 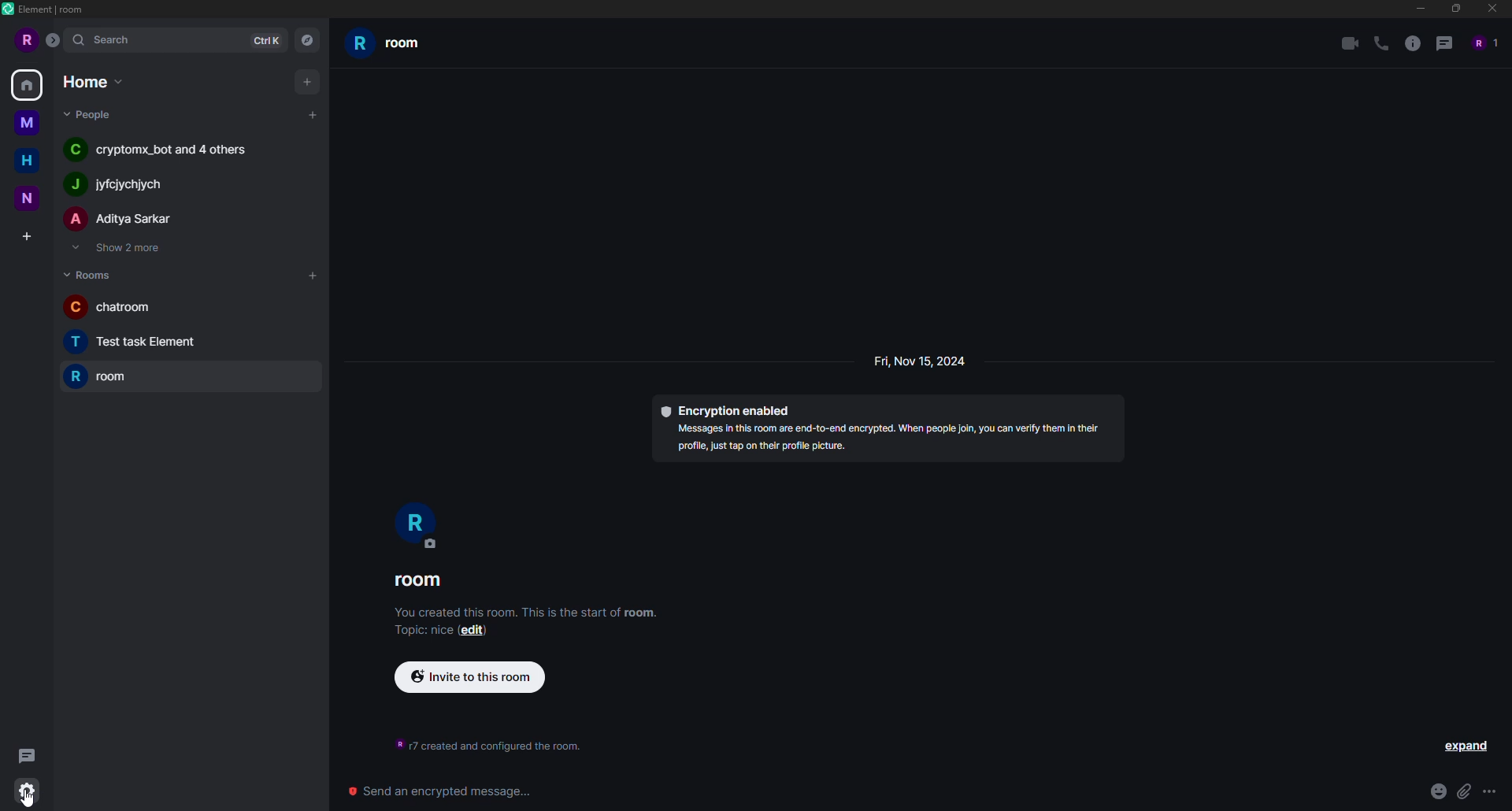 What do you see at coordinates (421, 581) in the screenshot?
I see `room` at bounding box center [421, 581].